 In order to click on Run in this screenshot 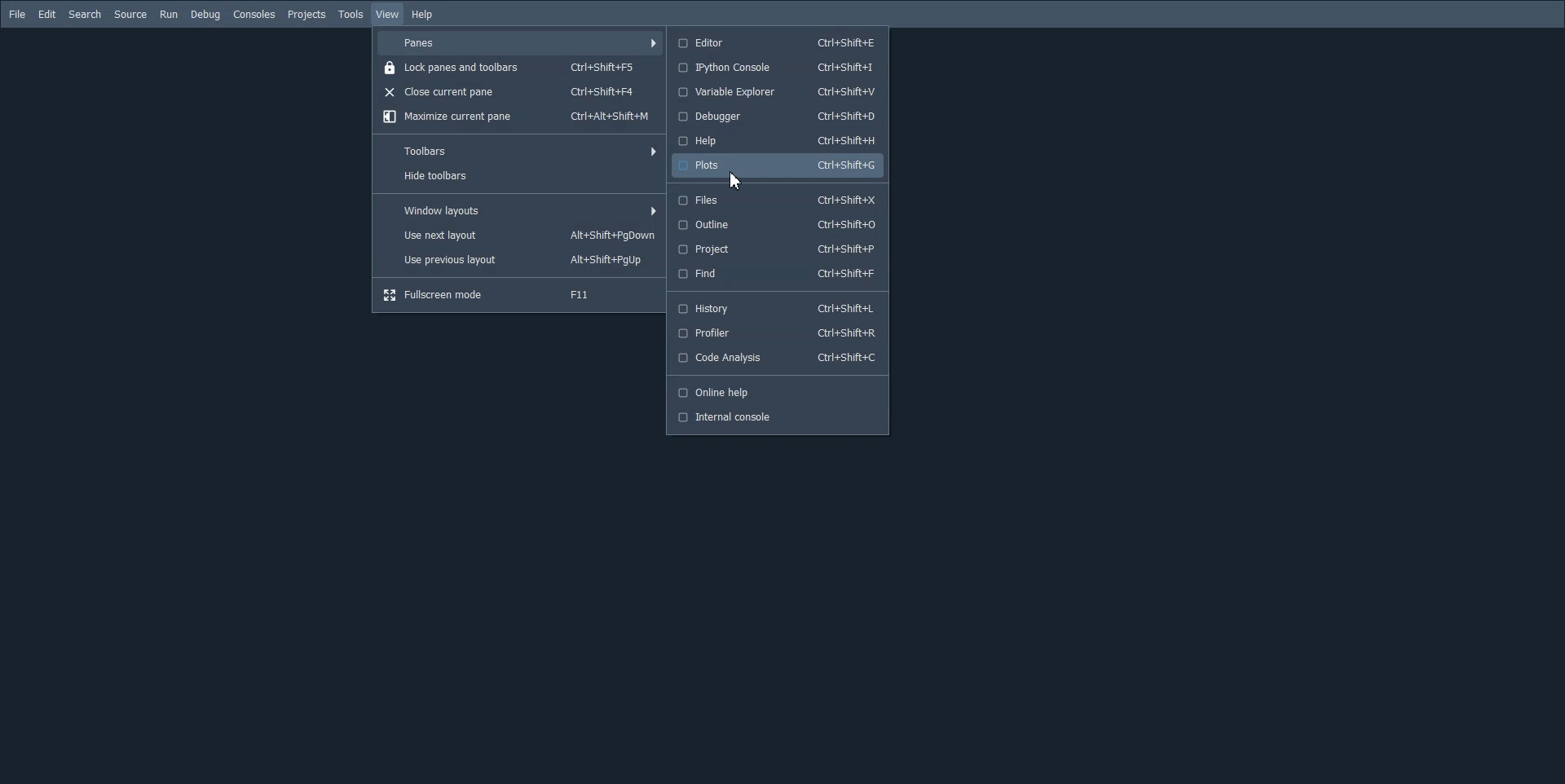, I will do `click(168, 15)`.